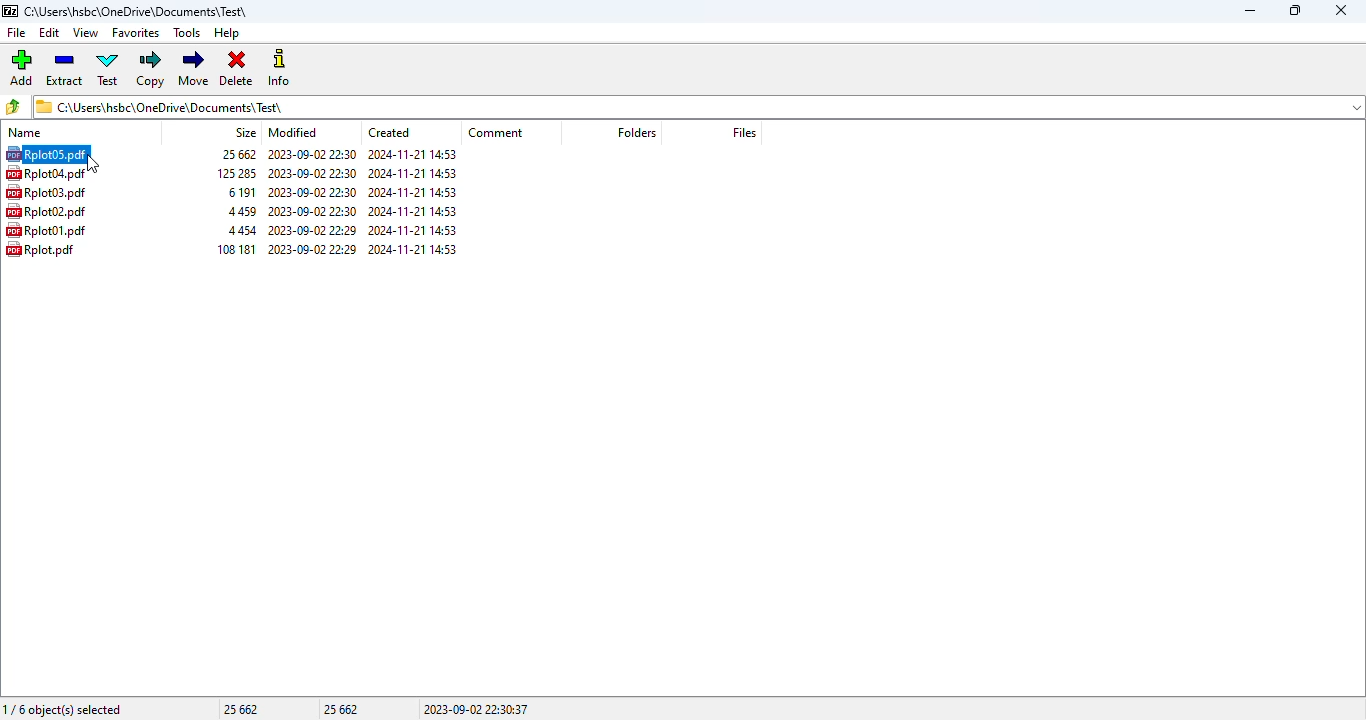 The height and width of the screenshot is (720, 1366). What do you see at coordinates (744, 132) in the screenshot?
I see `files` at bounding box center [744, 132].